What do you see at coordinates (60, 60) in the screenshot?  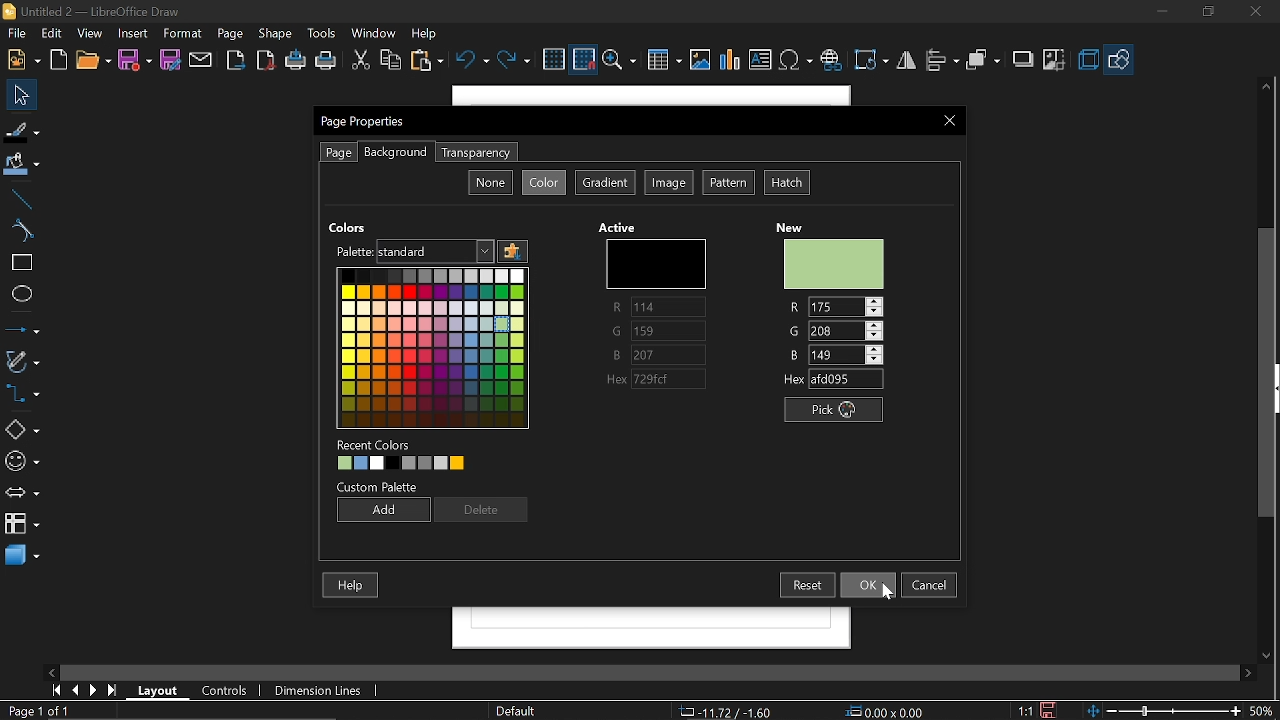 I see `Open template` at bounding box center [60, 60].